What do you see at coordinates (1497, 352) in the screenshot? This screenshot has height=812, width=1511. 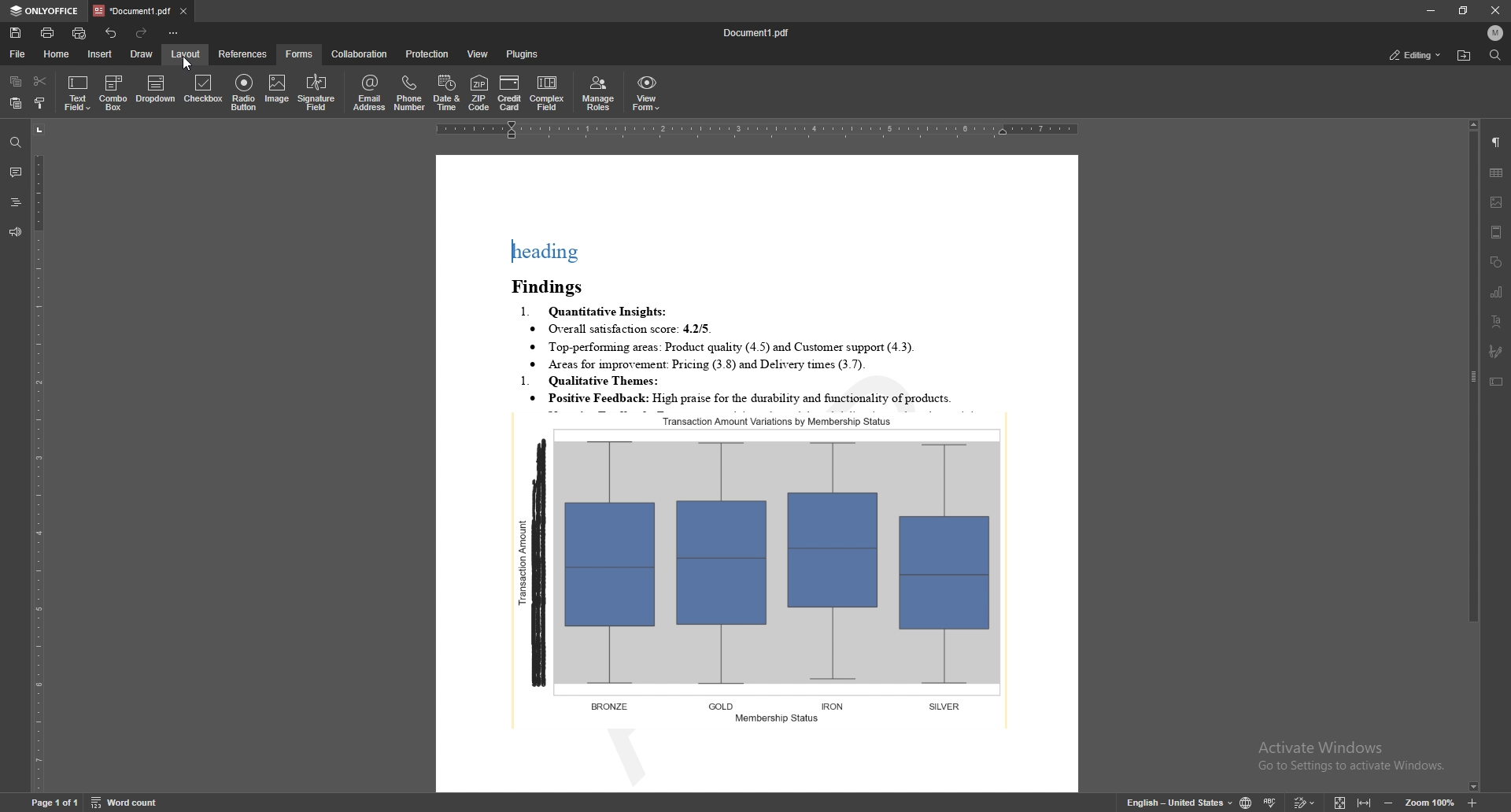 I see `signature field` at bounding box center [1497, 352].